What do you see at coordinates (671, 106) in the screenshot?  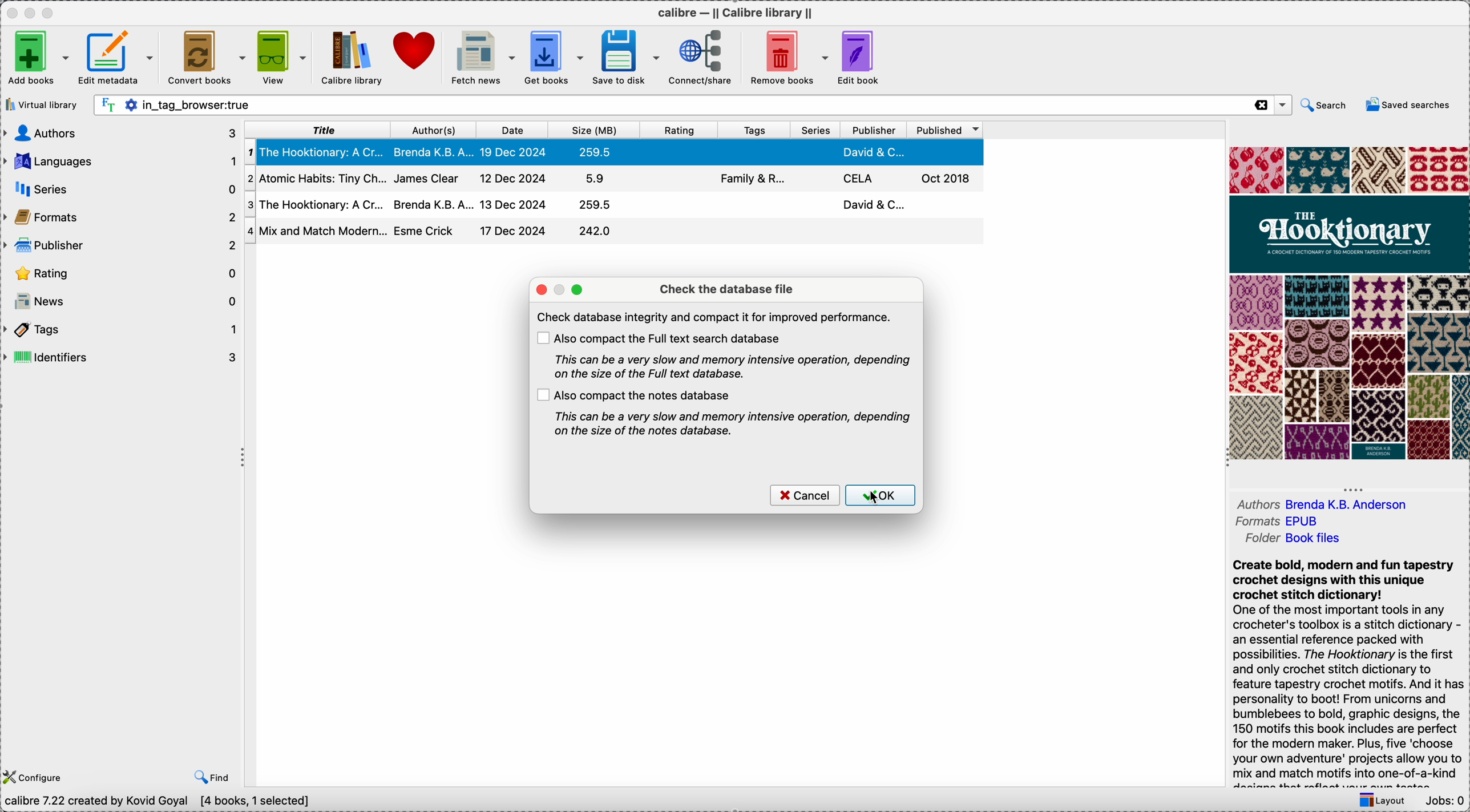 I see `search bar` at bounding box center [671, 106].